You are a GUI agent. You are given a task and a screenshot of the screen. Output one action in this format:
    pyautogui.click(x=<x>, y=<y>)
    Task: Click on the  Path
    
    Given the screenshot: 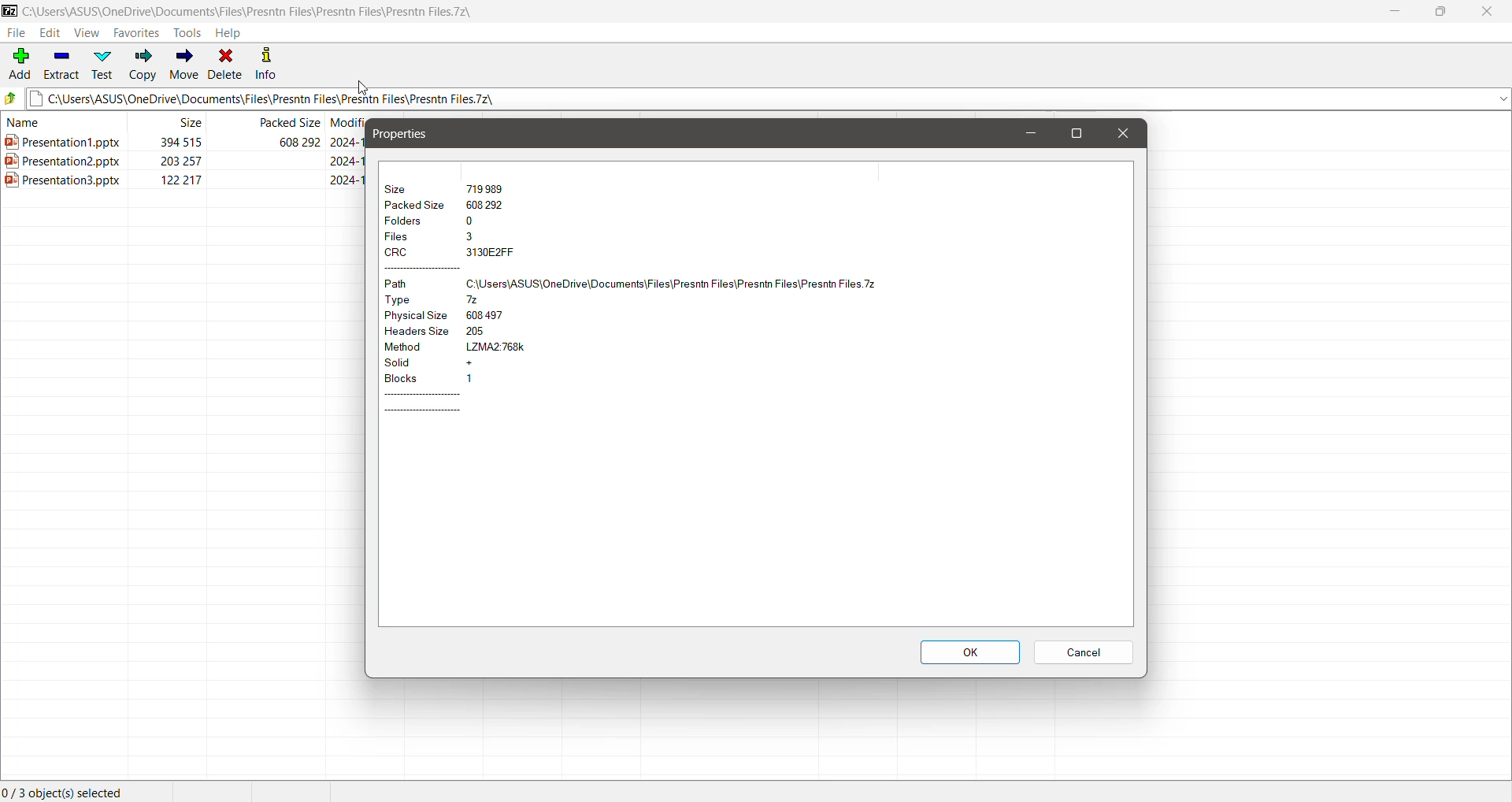 What is the action you would take?
    pyautogui.click(x=410, y=284)
    